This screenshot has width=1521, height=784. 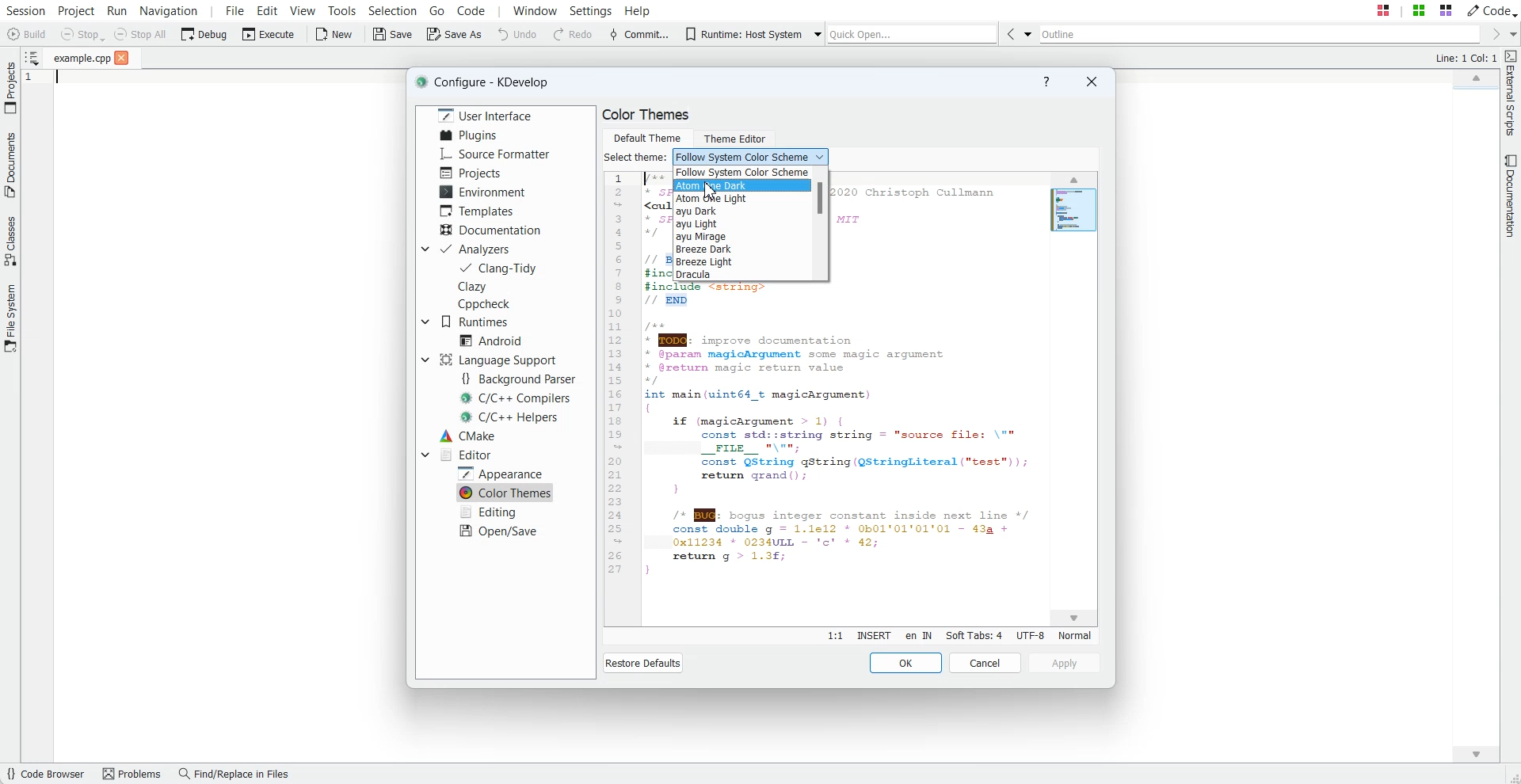 What do you see at coordinates (482, 115) in the screenshot?
I see `User Interface` at bounding box center [482, 115].